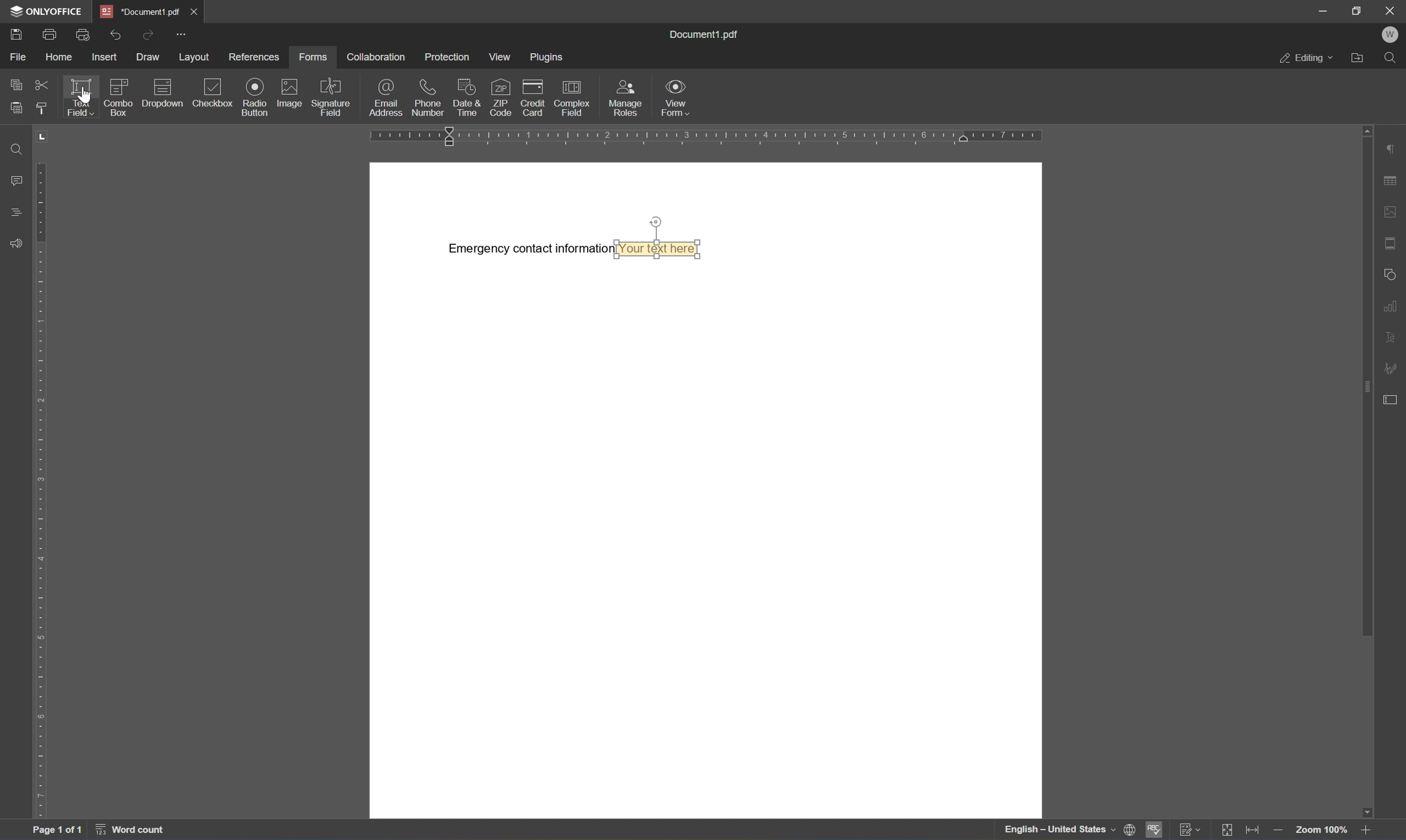  Describe the element at coordinates (105, 58) in the screenshot. I see `insert` at that location.